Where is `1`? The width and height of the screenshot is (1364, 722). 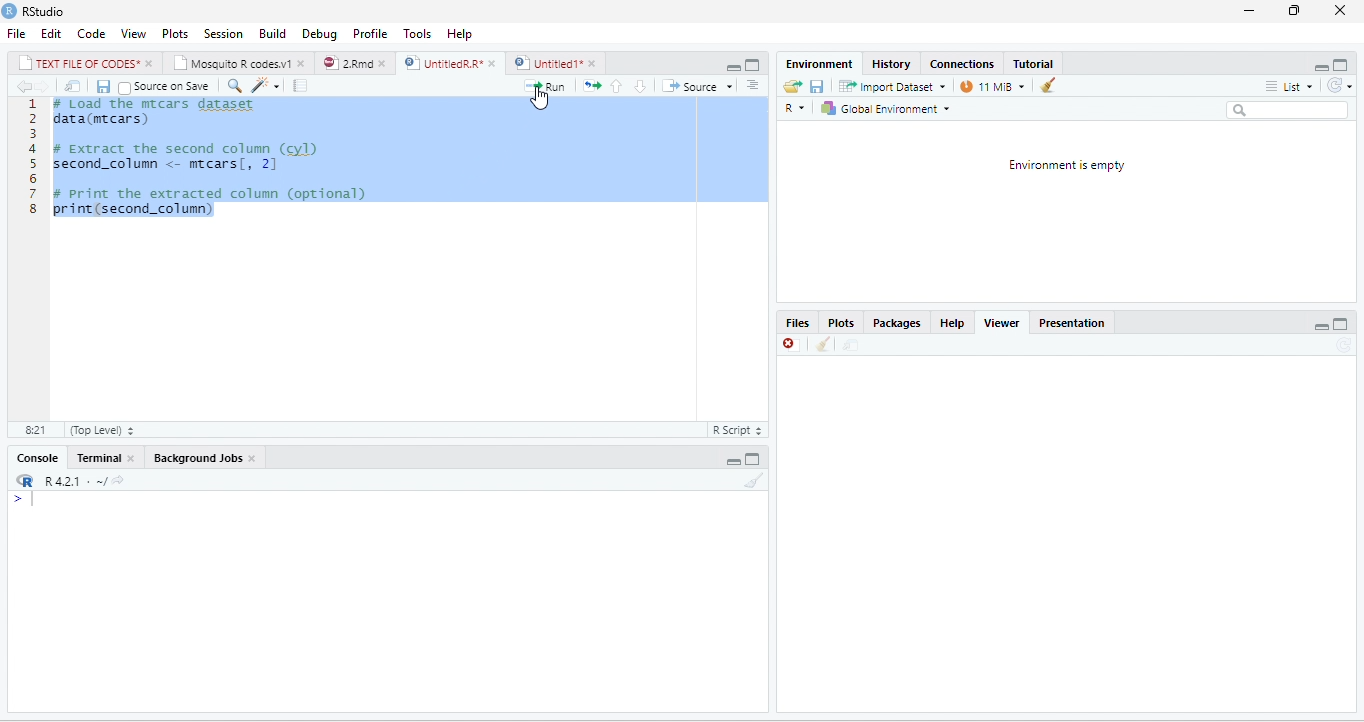 1 is located at coordinates (33, 104).